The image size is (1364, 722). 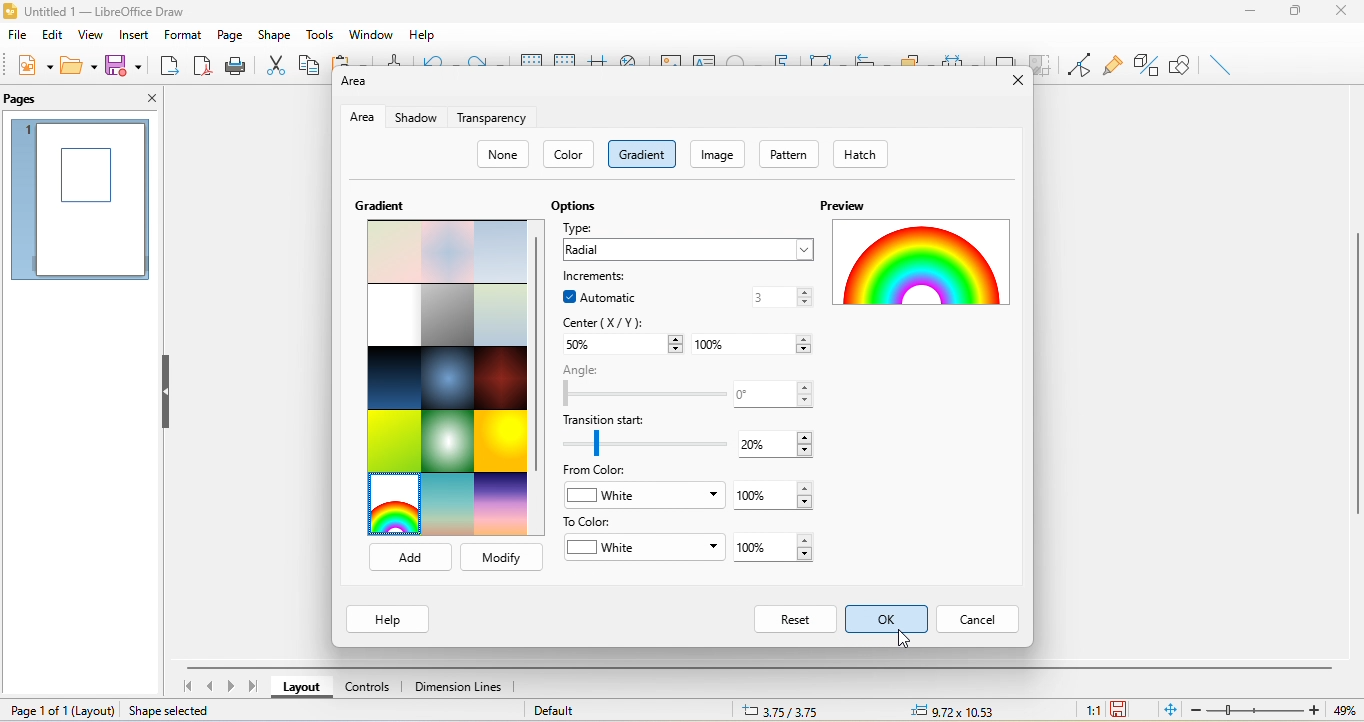 I want to click on maximize, so click(x=1295, y=13).